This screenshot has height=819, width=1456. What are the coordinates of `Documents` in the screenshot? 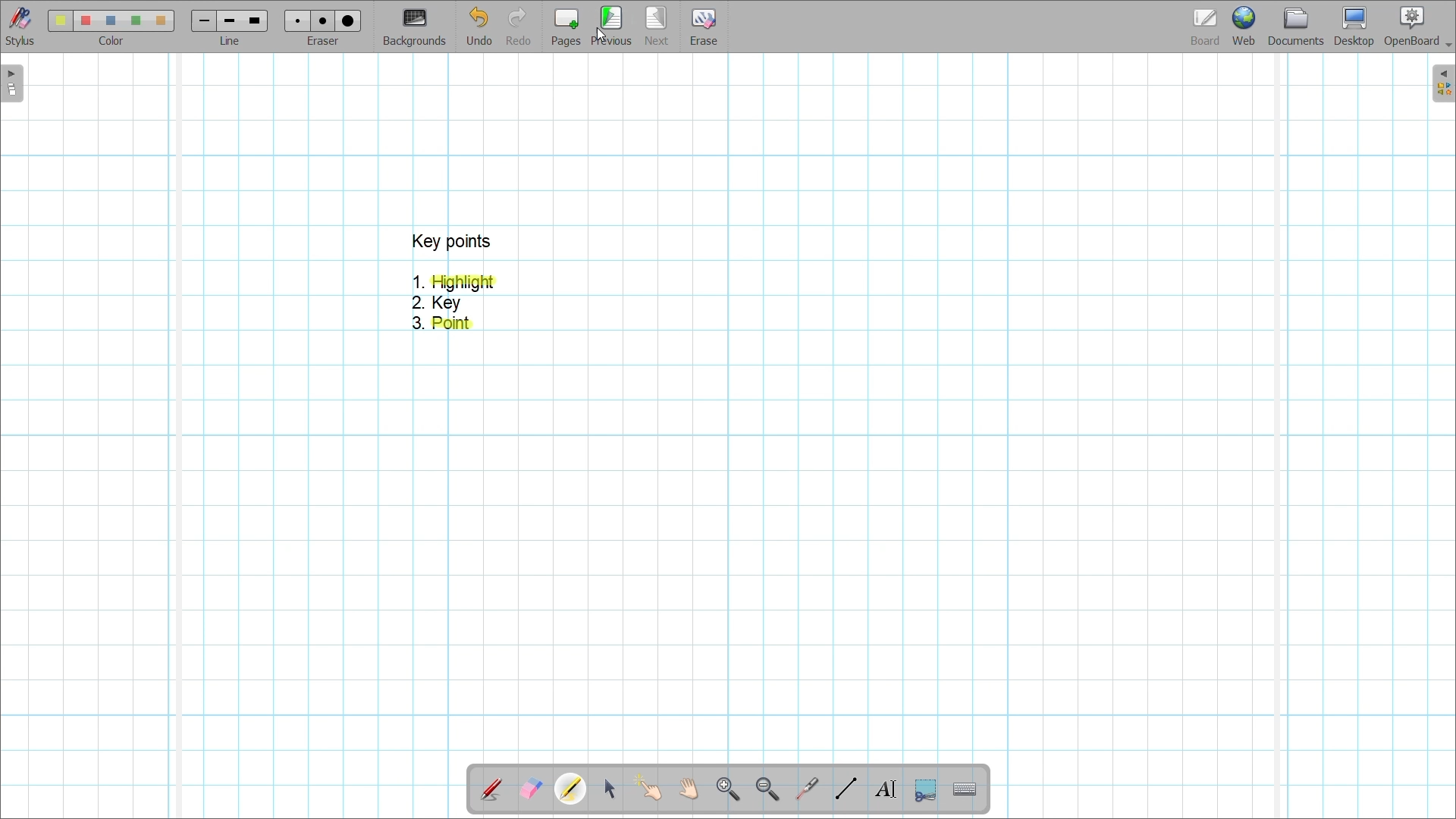 It's located at (1296, 27).